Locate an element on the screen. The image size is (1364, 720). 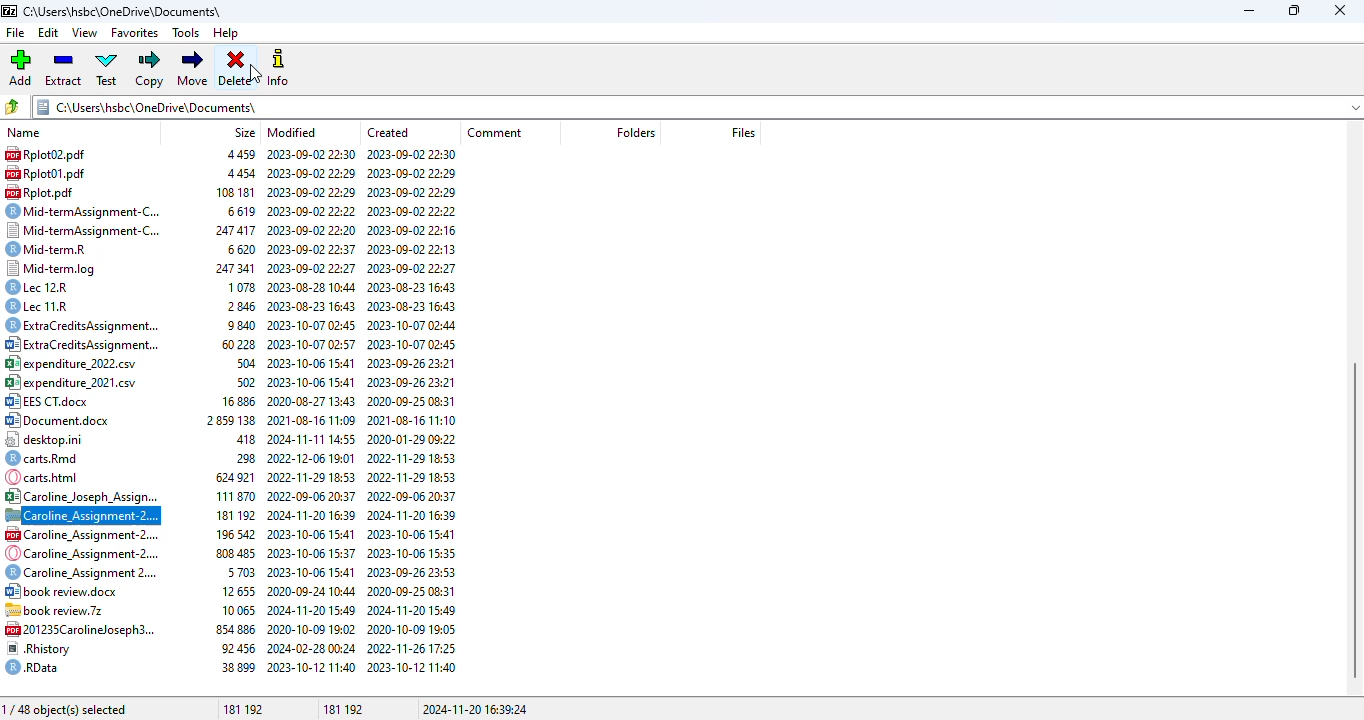
comment is located at coordinates (497, 133).